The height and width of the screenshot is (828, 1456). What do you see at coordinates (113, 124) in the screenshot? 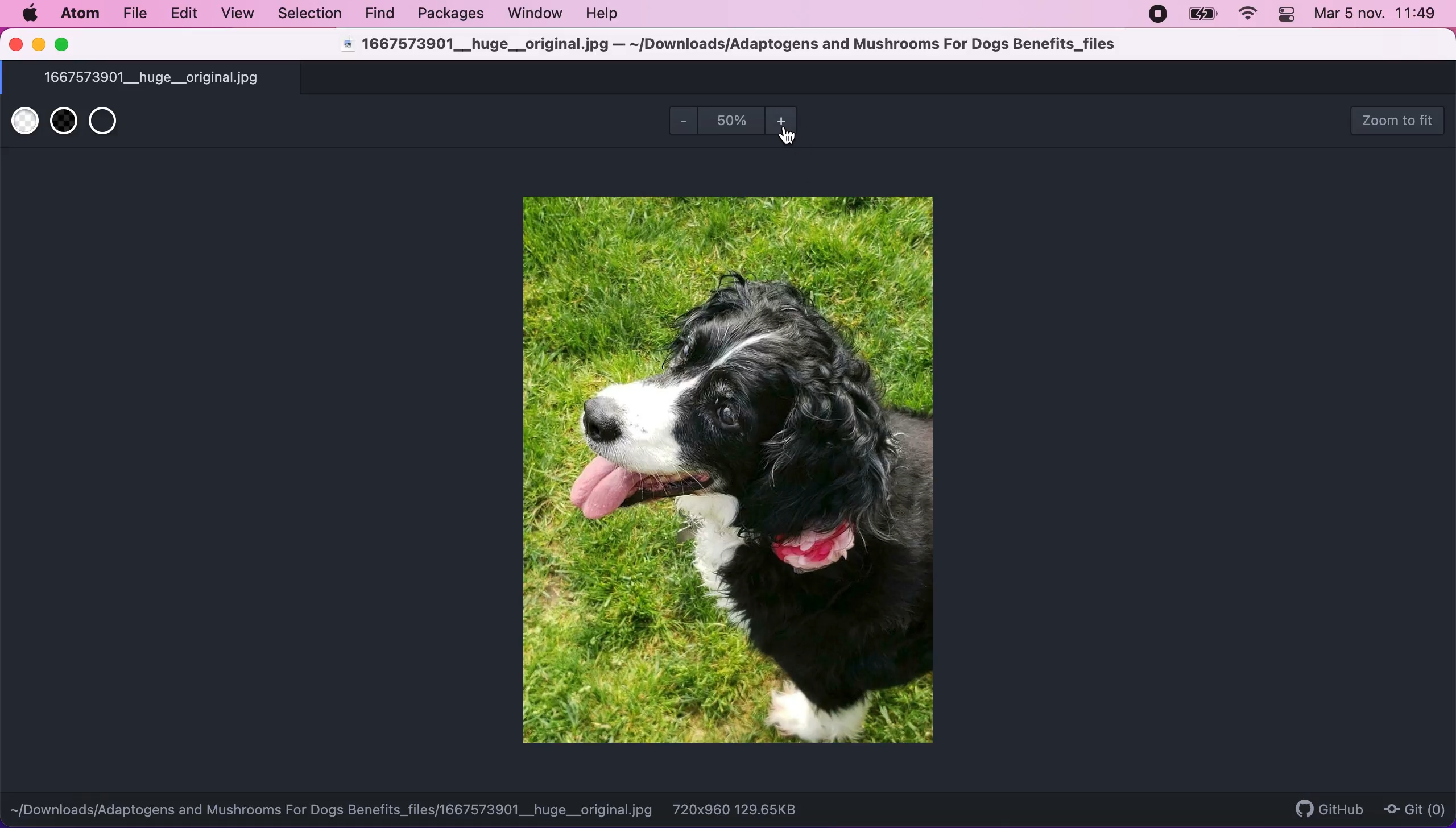
I see `use transparent background` at bounding box center [113, 124].